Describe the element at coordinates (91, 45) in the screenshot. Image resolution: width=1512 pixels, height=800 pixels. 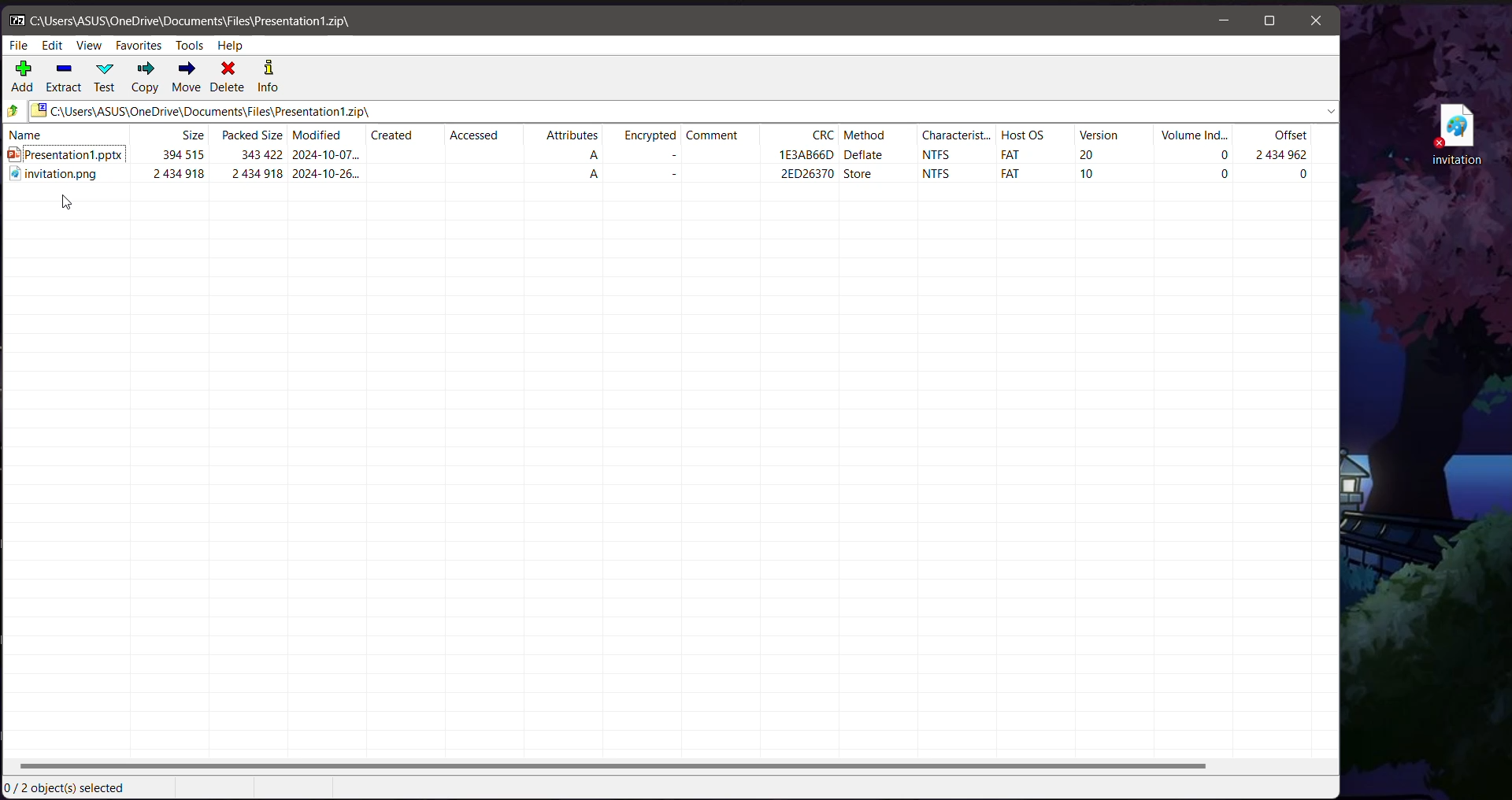
I see `View` at that location.